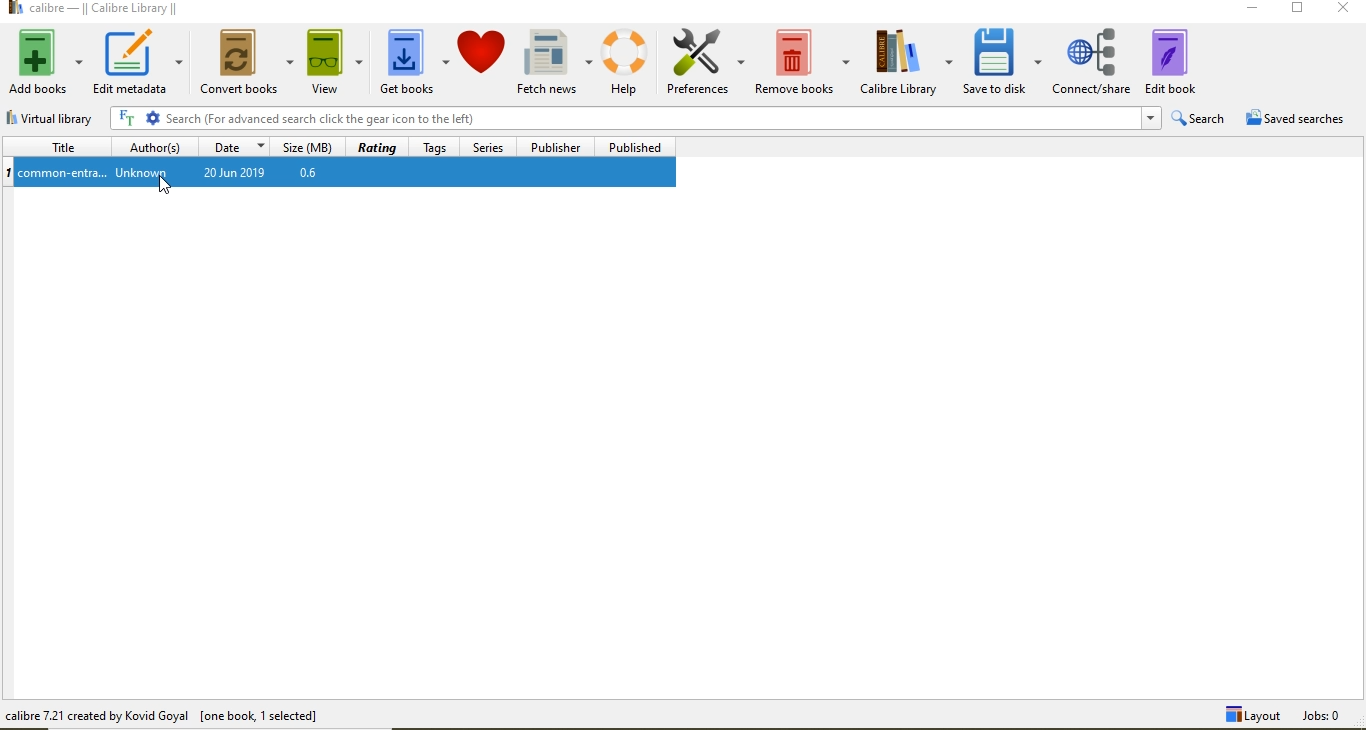 The image size is (1366, 730). I want to click on cursor, so click(168, 187).